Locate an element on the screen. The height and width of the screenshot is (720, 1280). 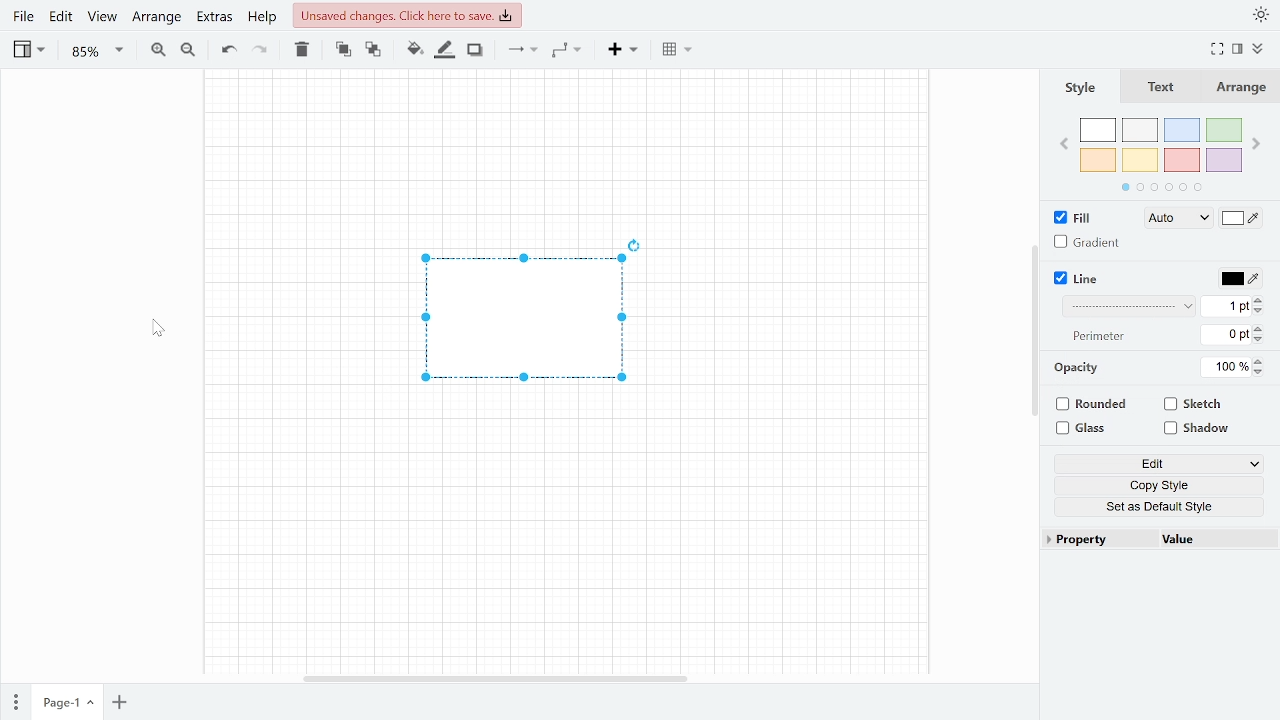
Insert is located at coordinates (622, 51).